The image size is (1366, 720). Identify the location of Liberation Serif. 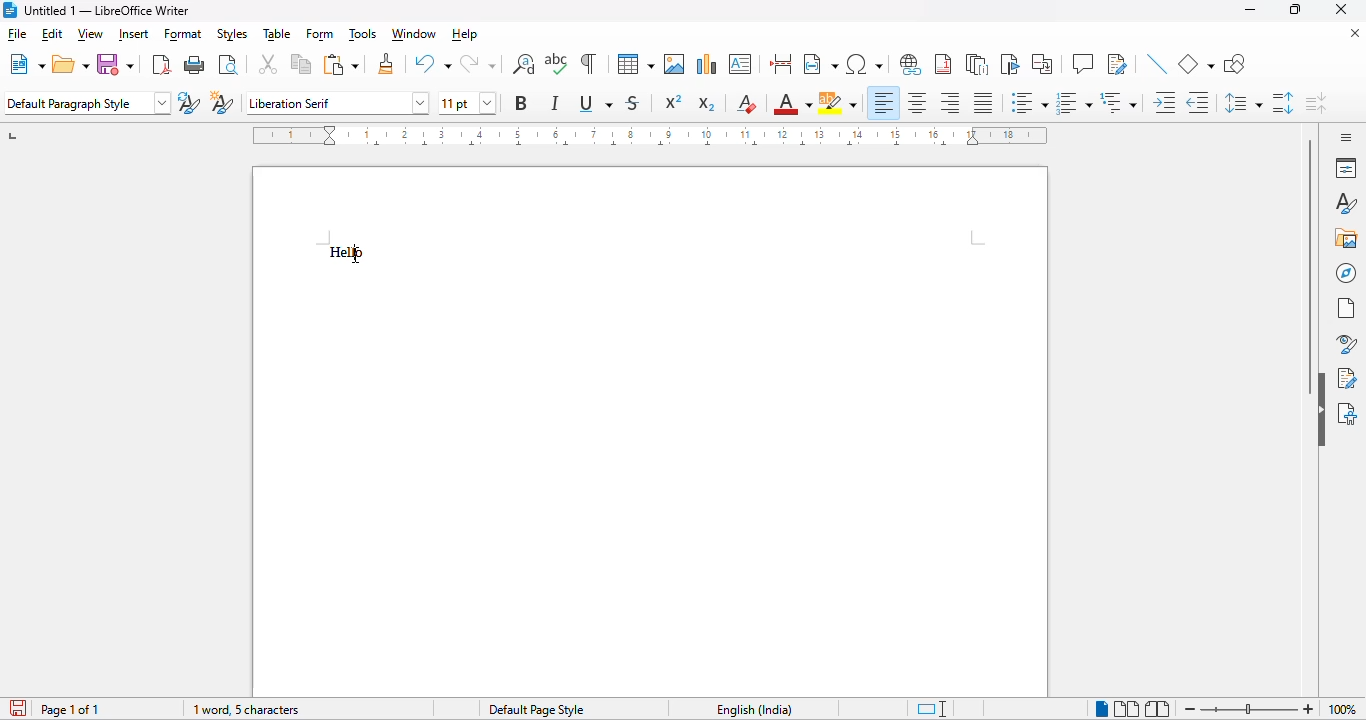
(341, 102).